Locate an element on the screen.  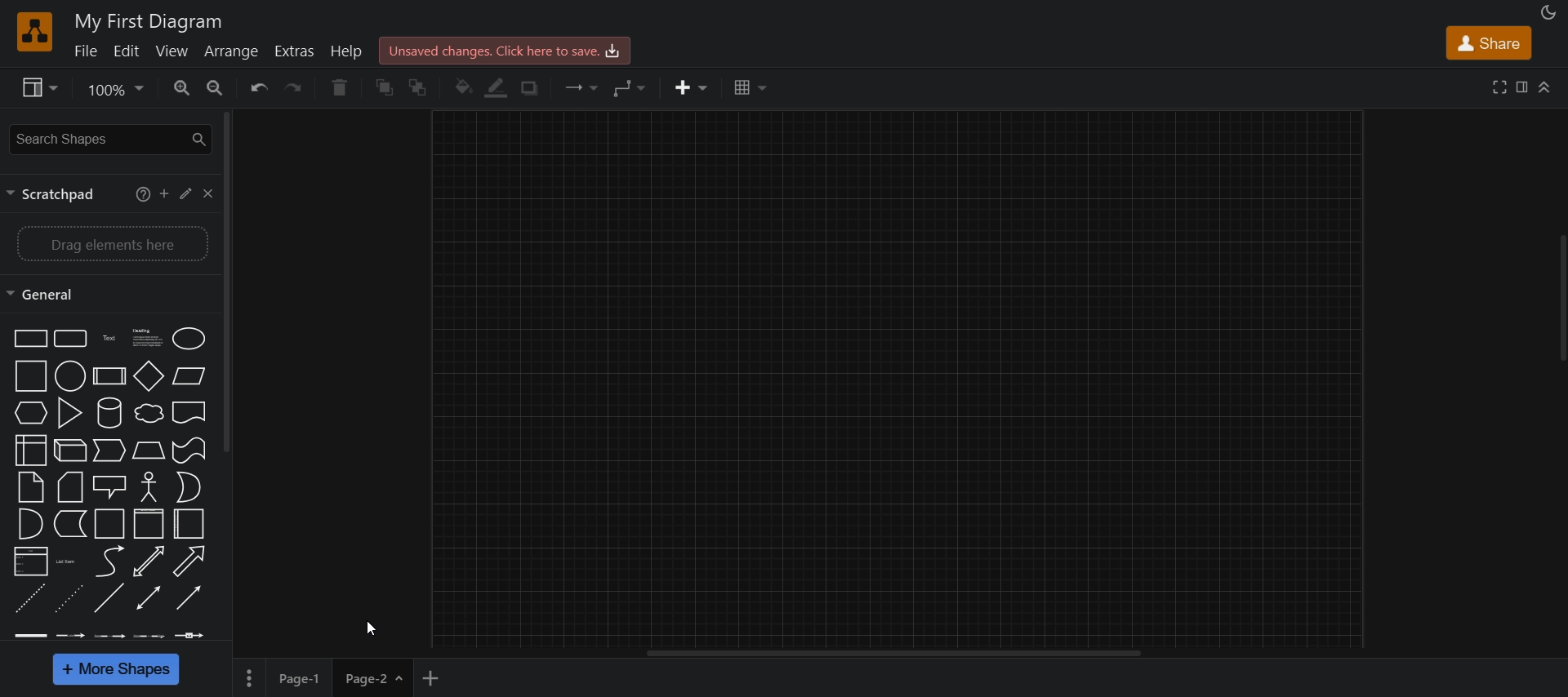
more is located at coordinates (1551, 88).